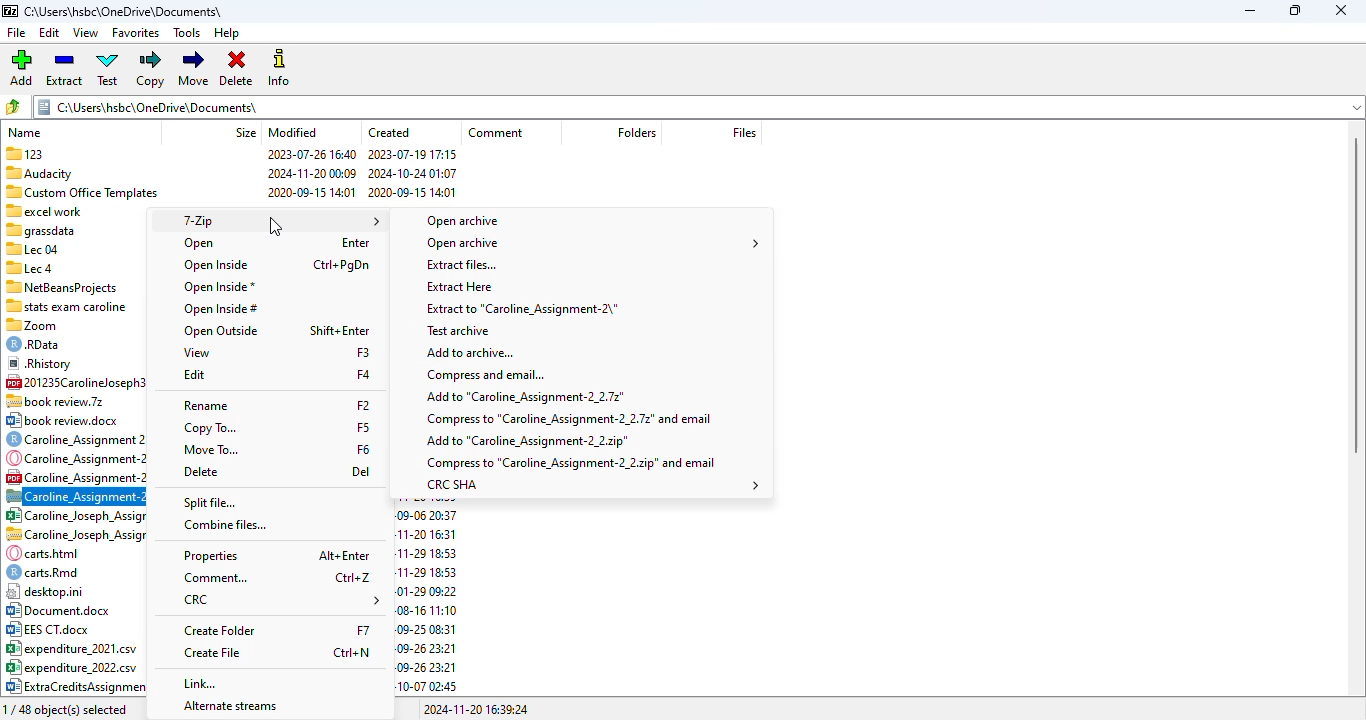 This screenshot has height=720, width=1366. What do you see at coordinates (225, 525) in the screenshot?
I see `combine files` at bounding box center [225, 525].